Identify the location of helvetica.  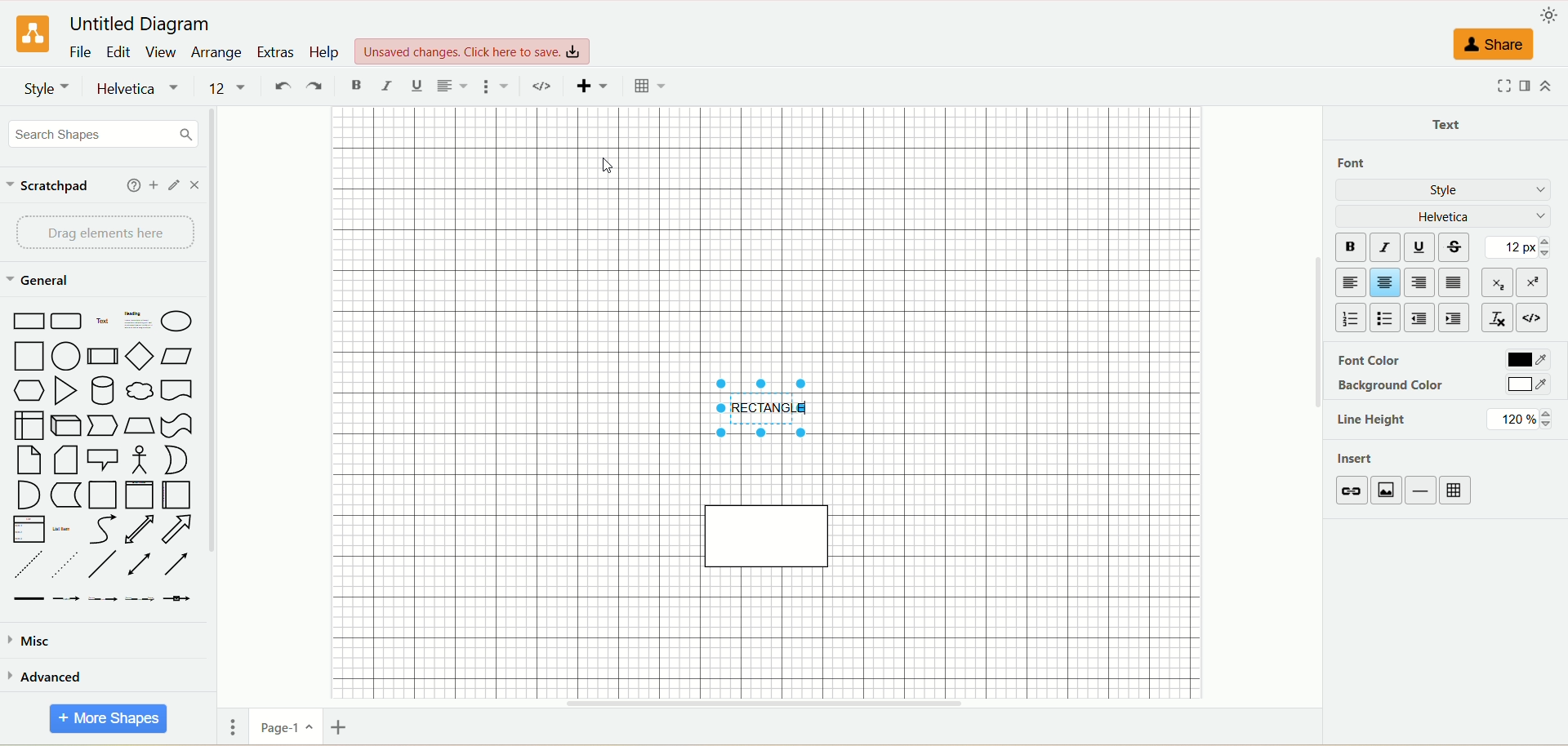
(1448, 215).